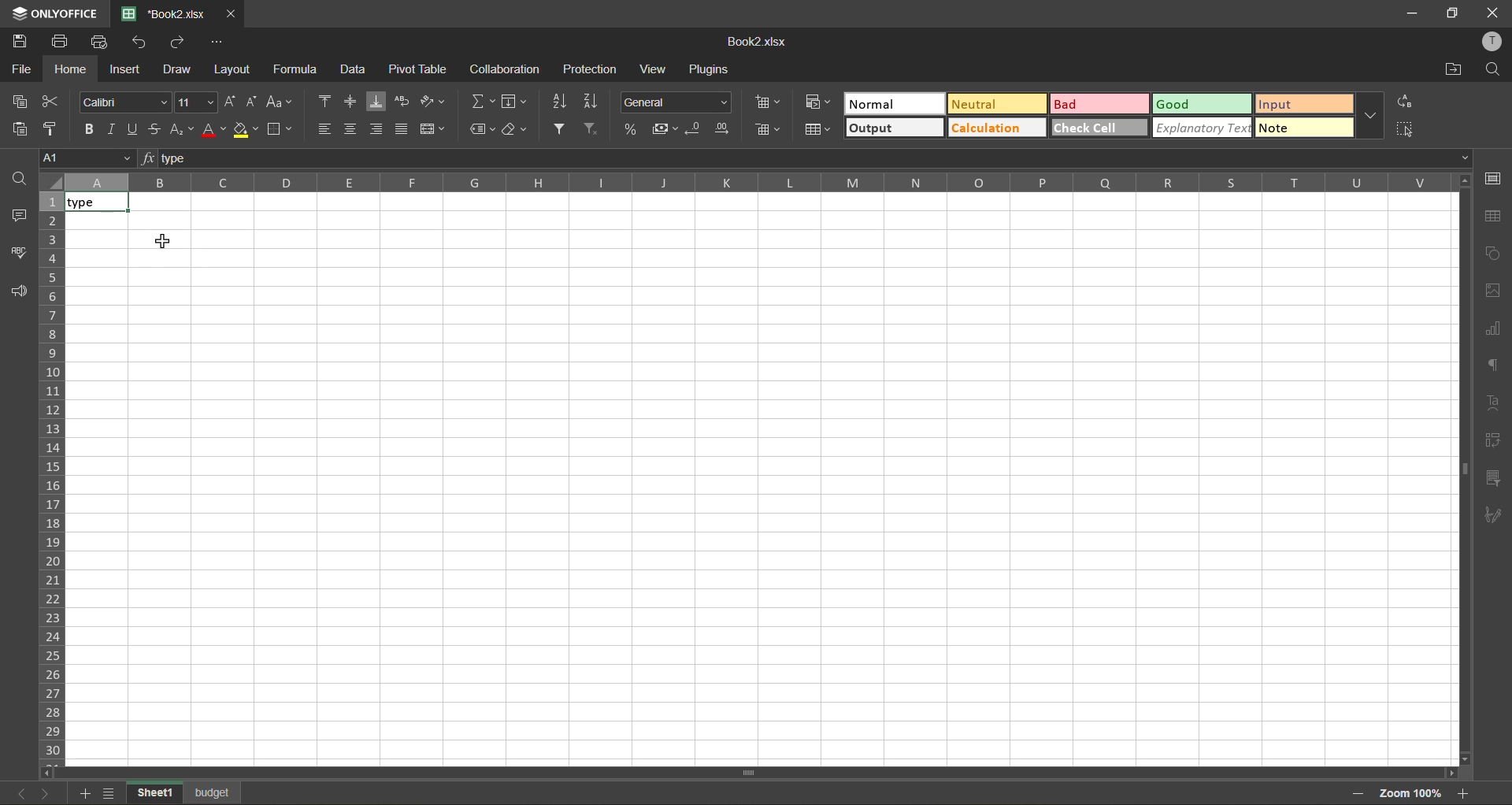 The width and height of the screenshot is (1512, 805). Describe the element at coordinates (1492, 438) in the screenshot. I see `pivot table` at that location.